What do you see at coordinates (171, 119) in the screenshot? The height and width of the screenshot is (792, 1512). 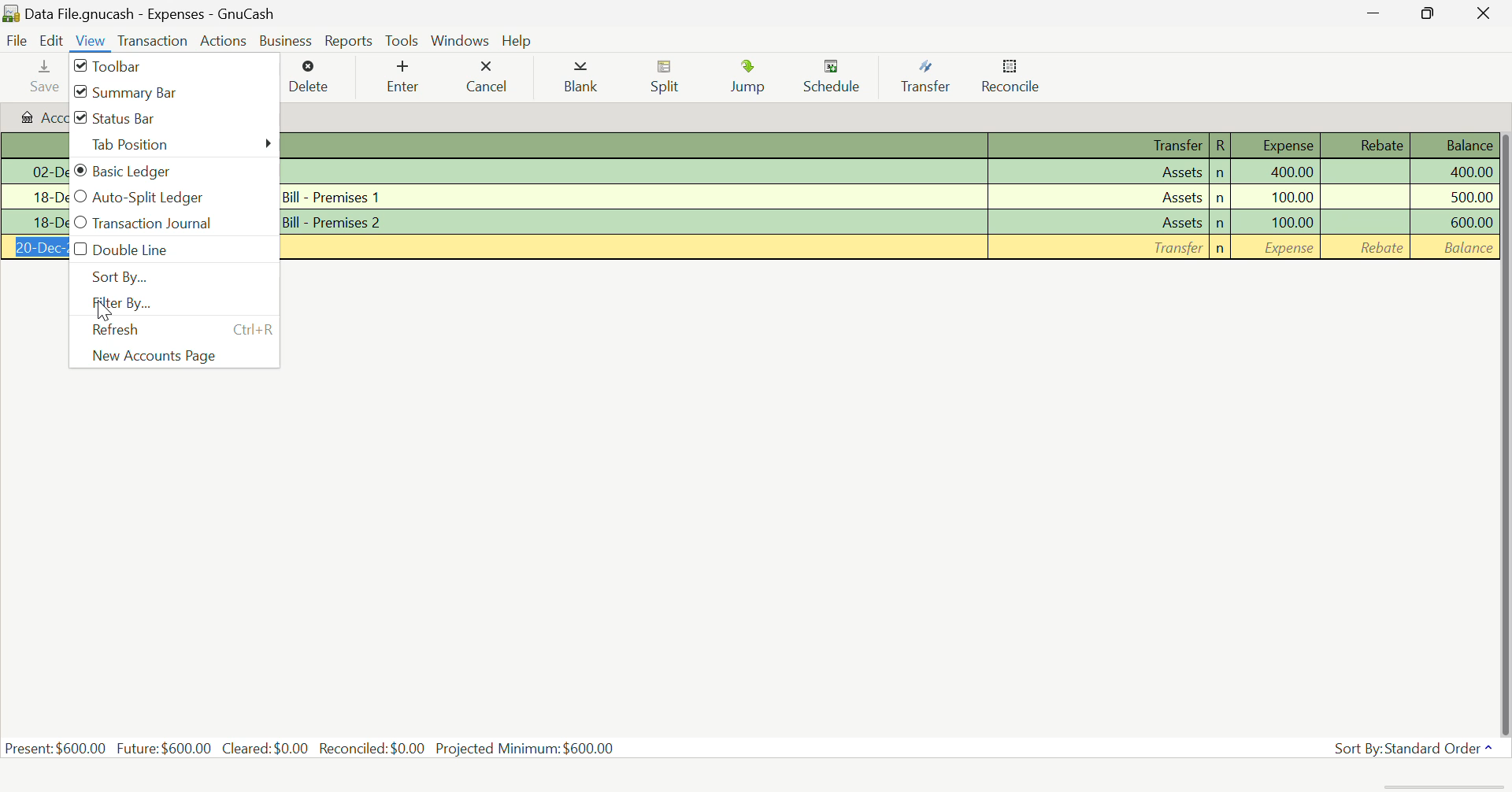 I see `Status Bar` at bounding box center [171, 119].